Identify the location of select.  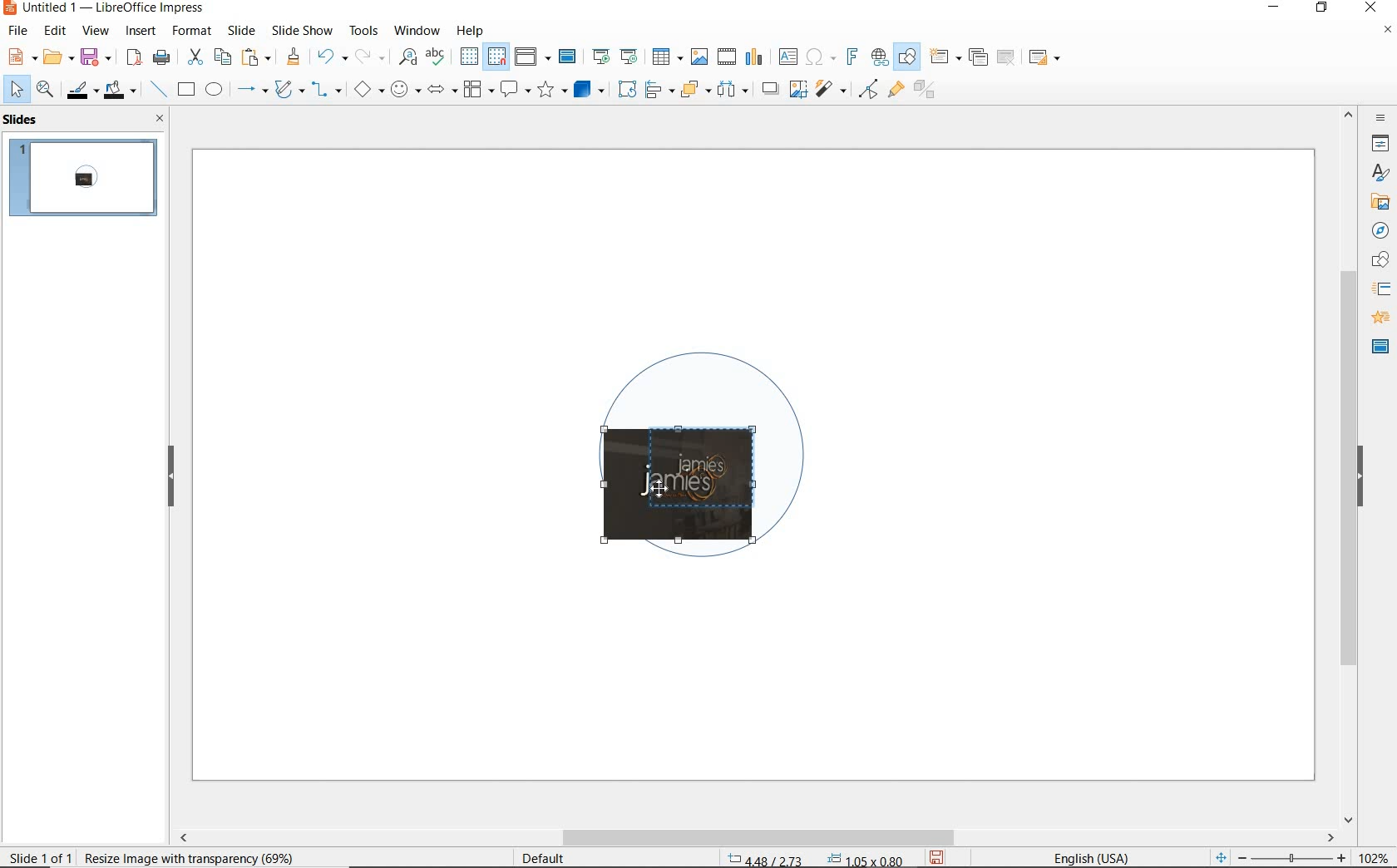
(17, 90).